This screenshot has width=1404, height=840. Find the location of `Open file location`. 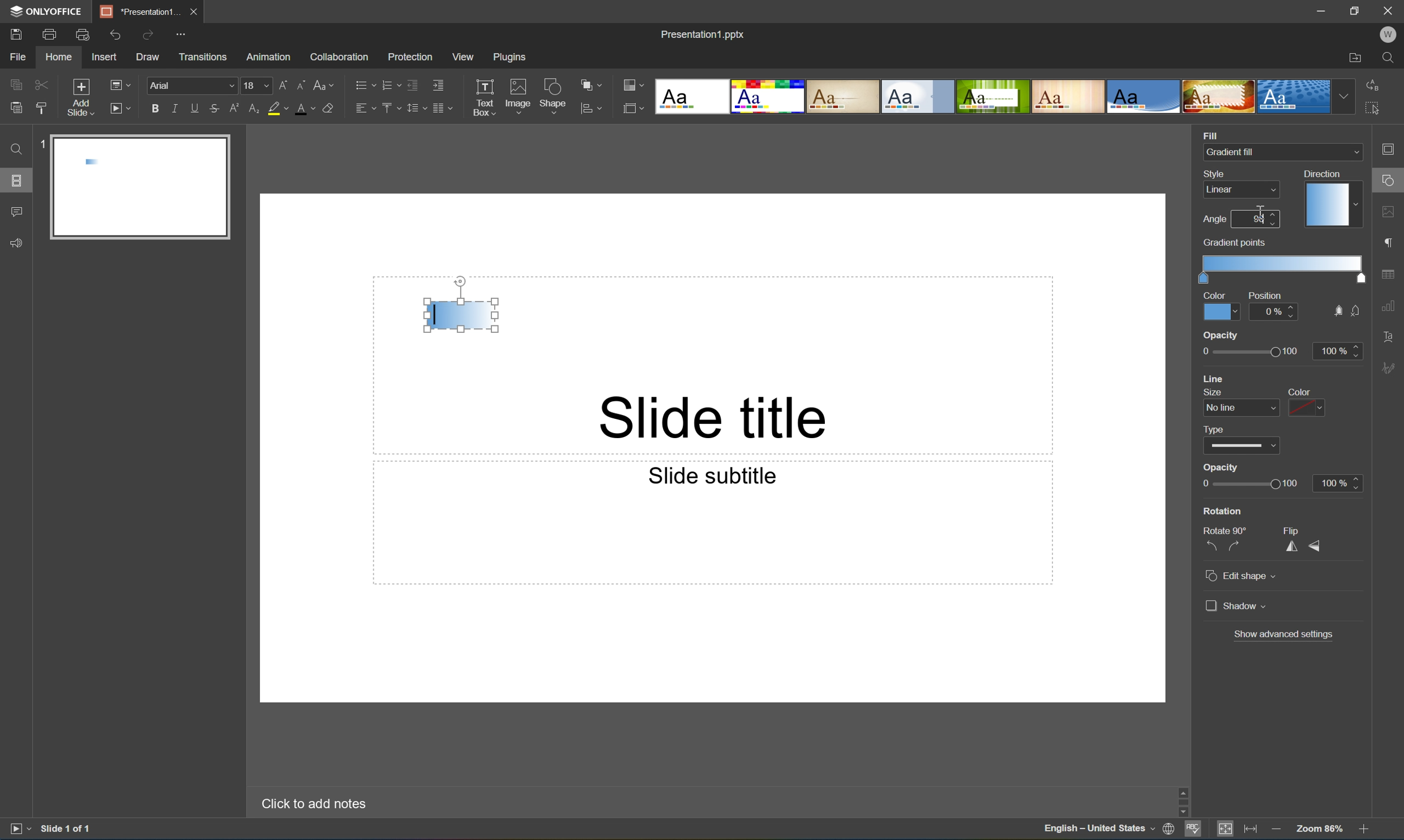

Open file location is located at coordinates (1355, 59).